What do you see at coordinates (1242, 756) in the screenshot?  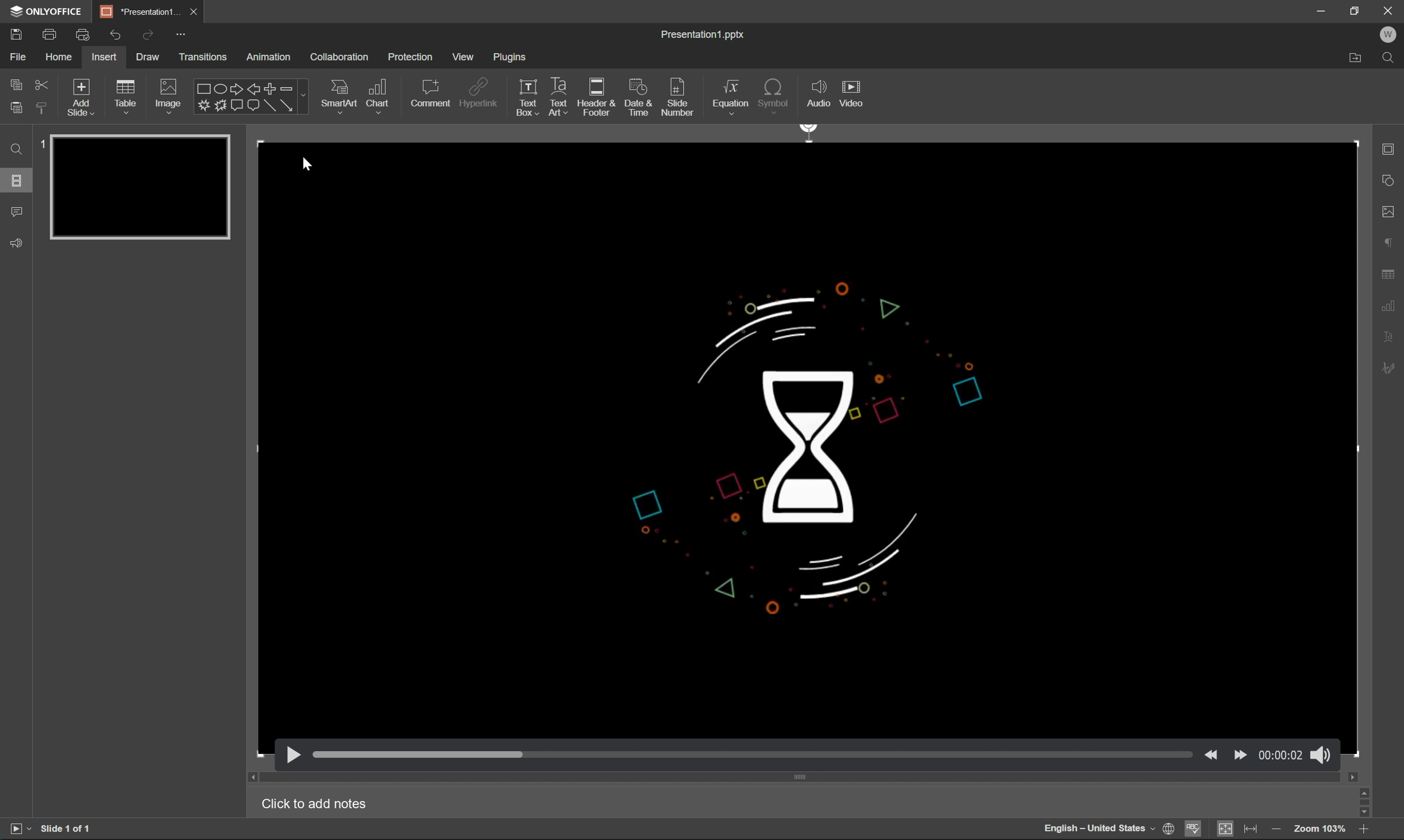 I see `move forward` at bounding box center [1242, 756].